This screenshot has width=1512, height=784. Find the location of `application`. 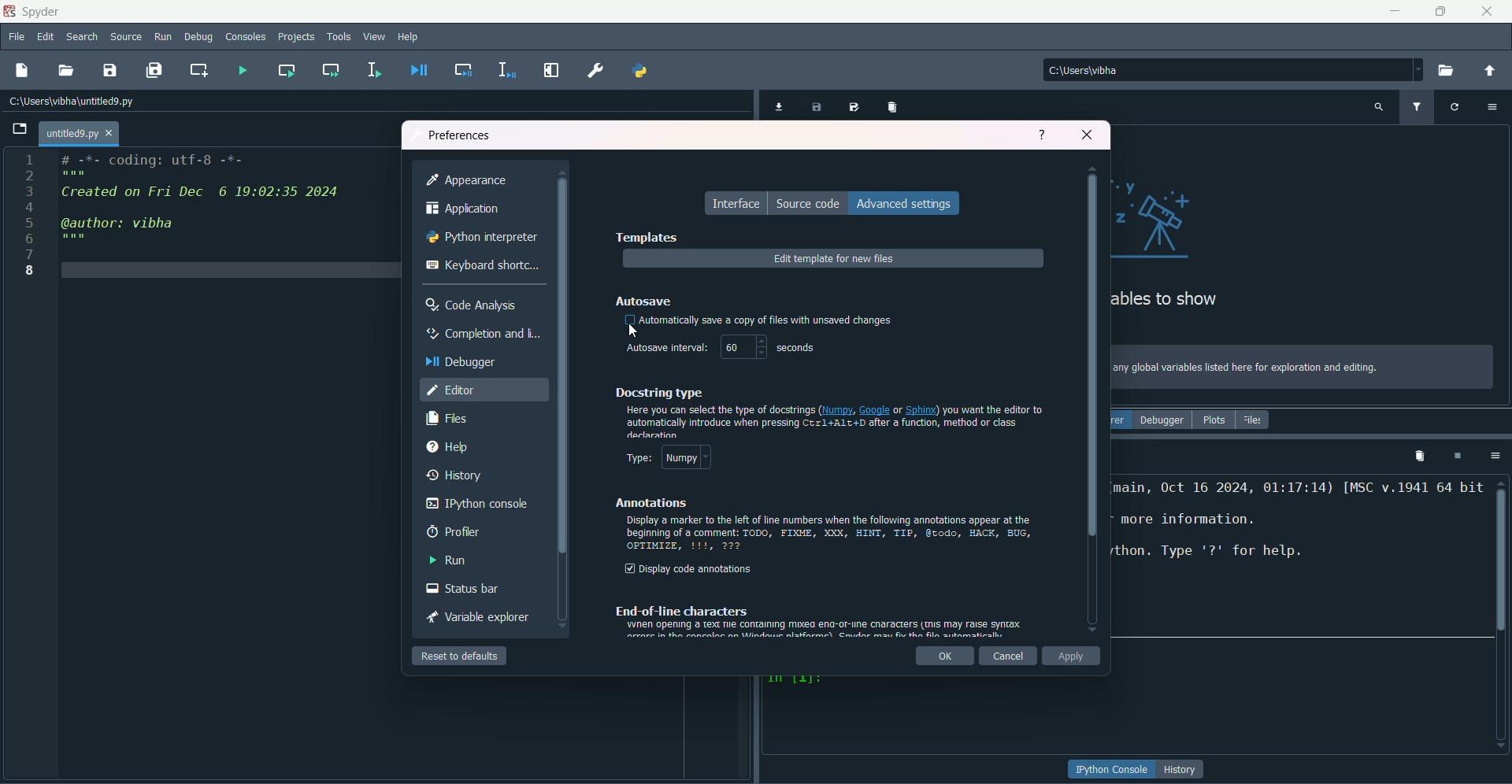

application is located at coordinates (464, 209).